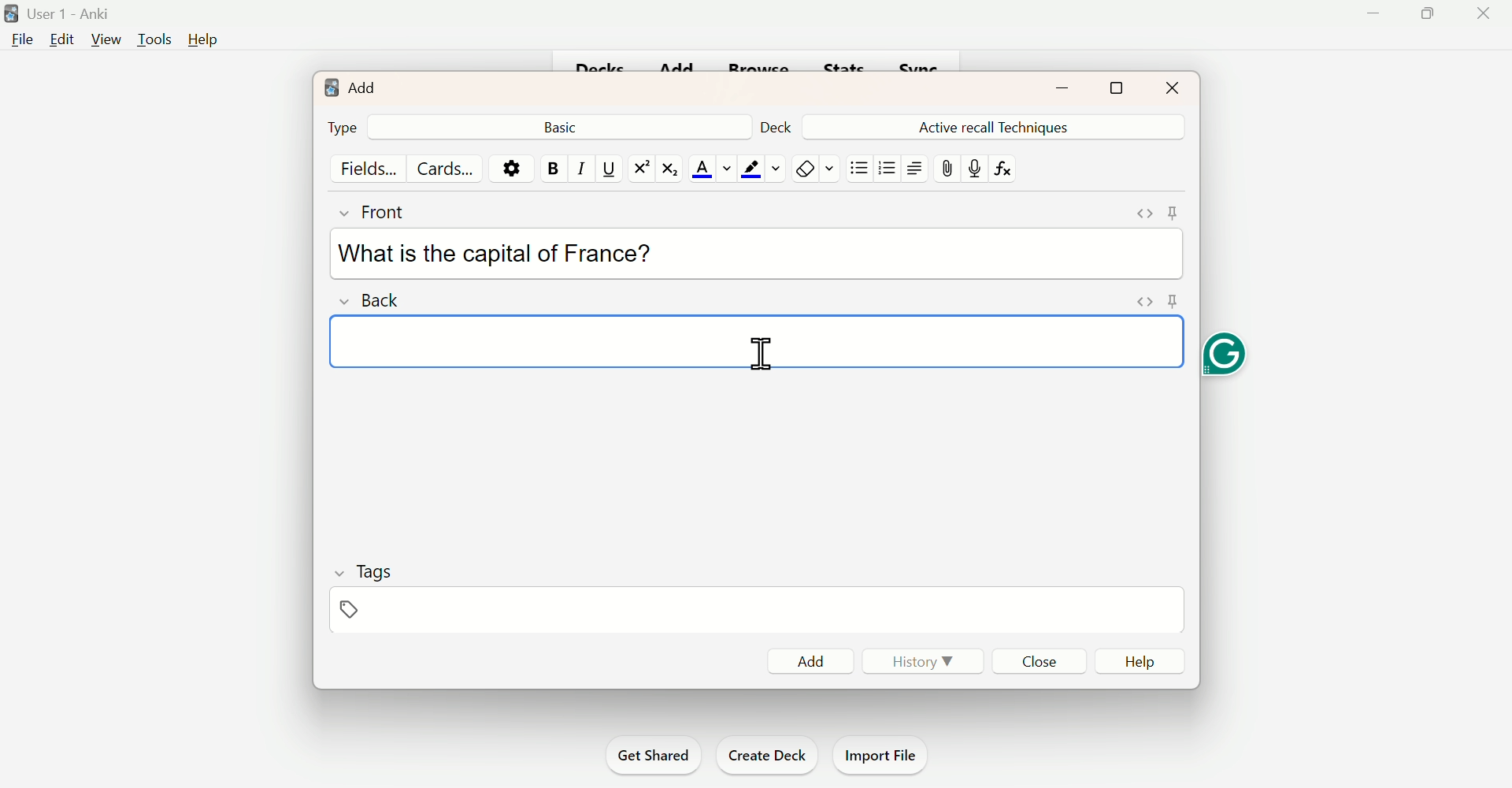 This screenshot has height=788, width=1512. Describe the element at coordinates (913, 167) in the screenshot. I see `Text Alignment` at that location.